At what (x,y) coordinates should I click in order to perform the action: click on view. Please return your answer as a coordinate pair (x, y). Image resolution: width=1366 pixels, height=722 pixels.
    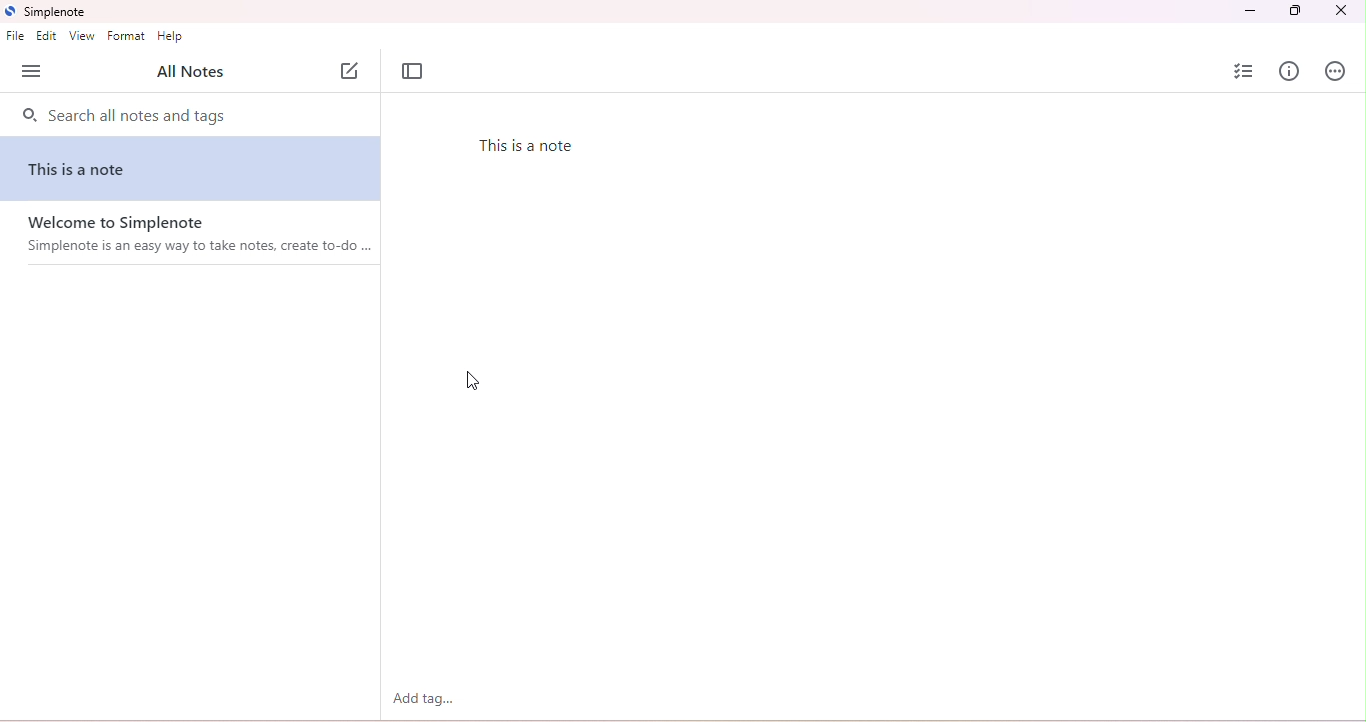
    Looking at the image, I should click on (81, 36).